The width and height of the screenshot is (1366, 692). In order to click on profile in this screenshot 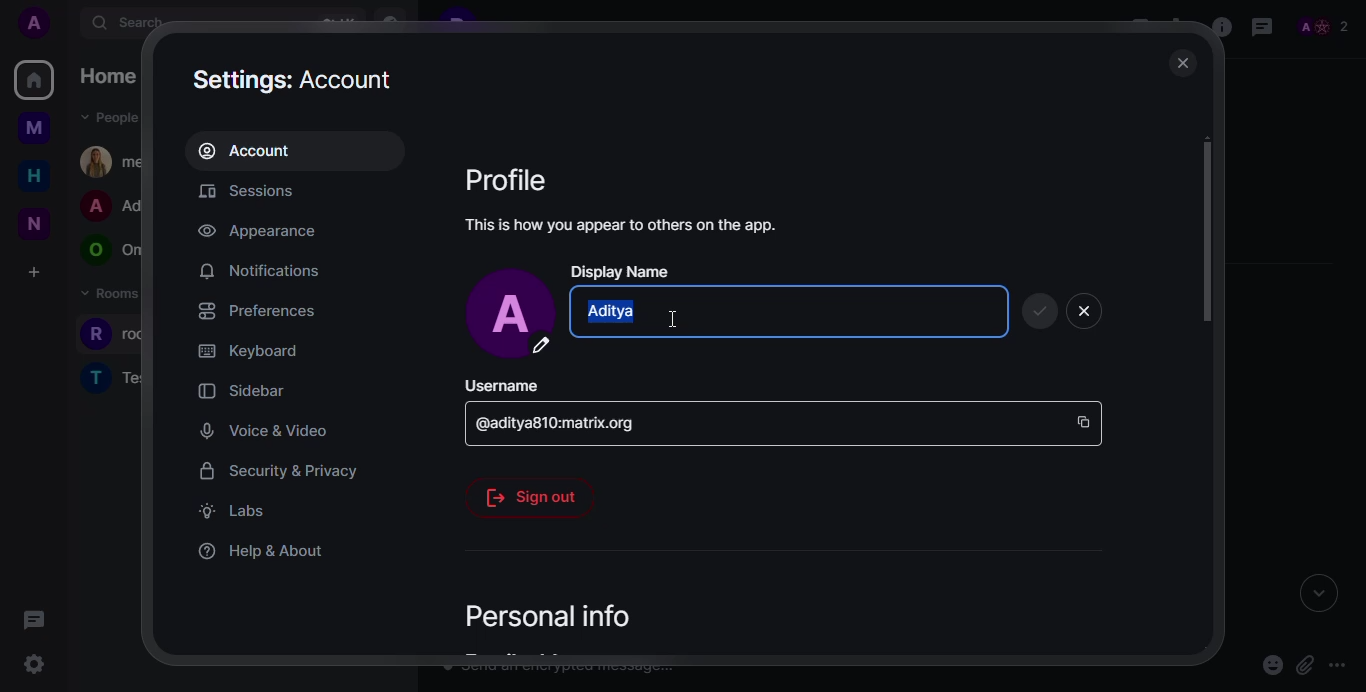, I will do `click(32, 24)`.